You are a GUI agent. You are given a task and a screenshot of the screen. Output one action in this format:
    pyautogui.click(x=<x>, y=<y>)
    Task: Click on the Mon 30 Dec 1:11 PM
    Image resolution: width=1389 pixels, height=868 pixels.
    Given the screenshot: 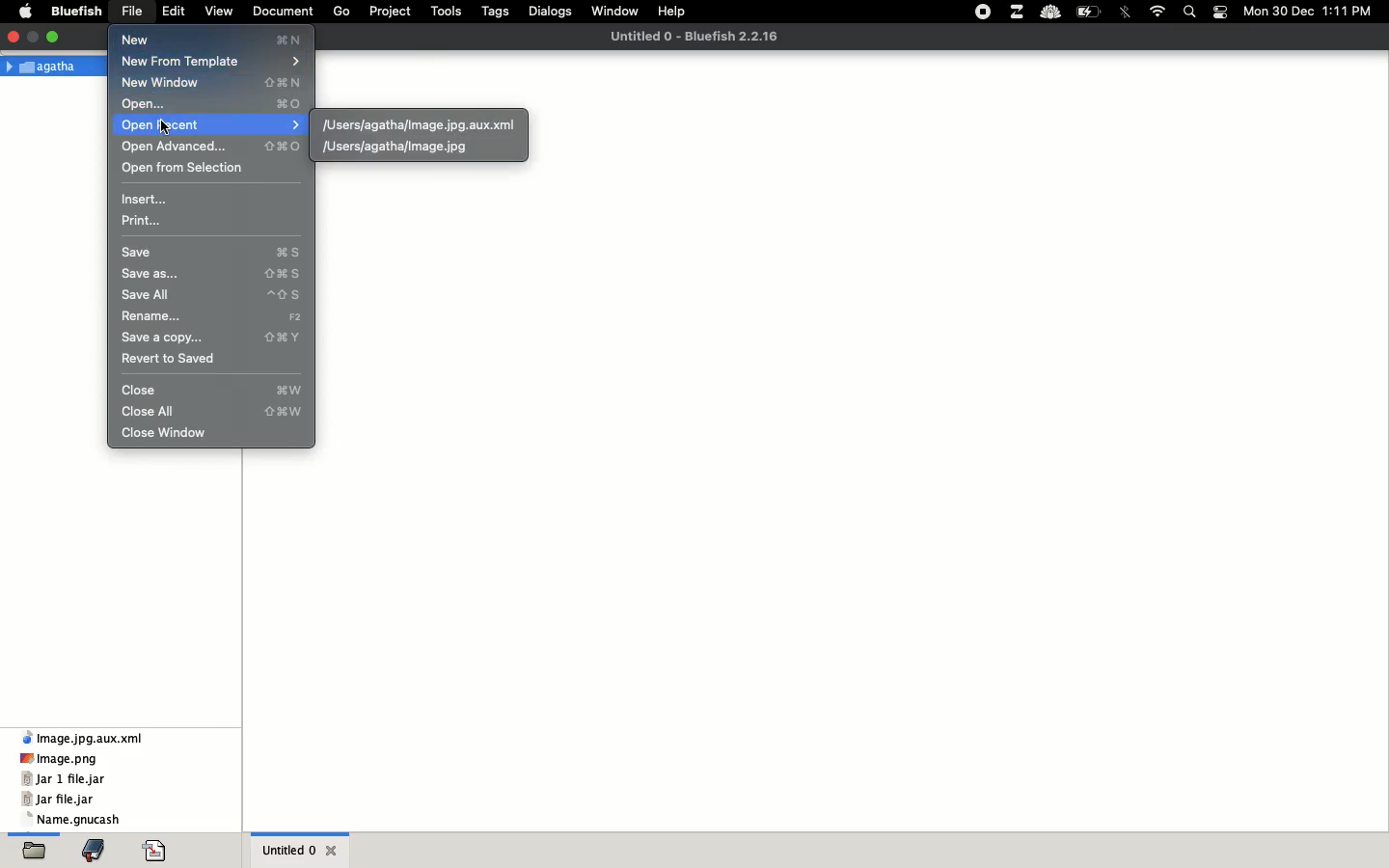 What is the action you would take?
    pyautogui.click(x=1309, y=10)
    